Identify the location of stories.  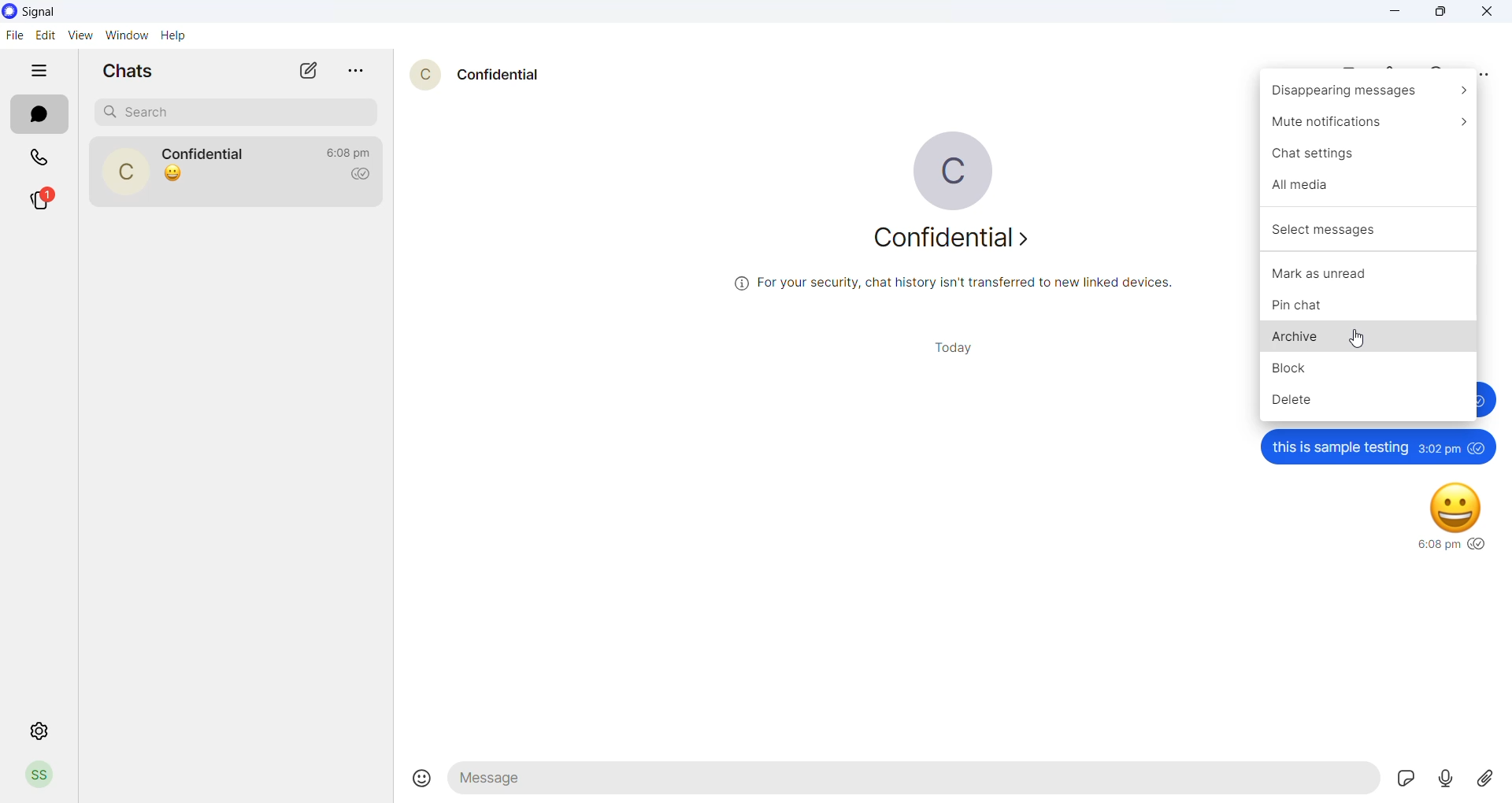
(44, 198).